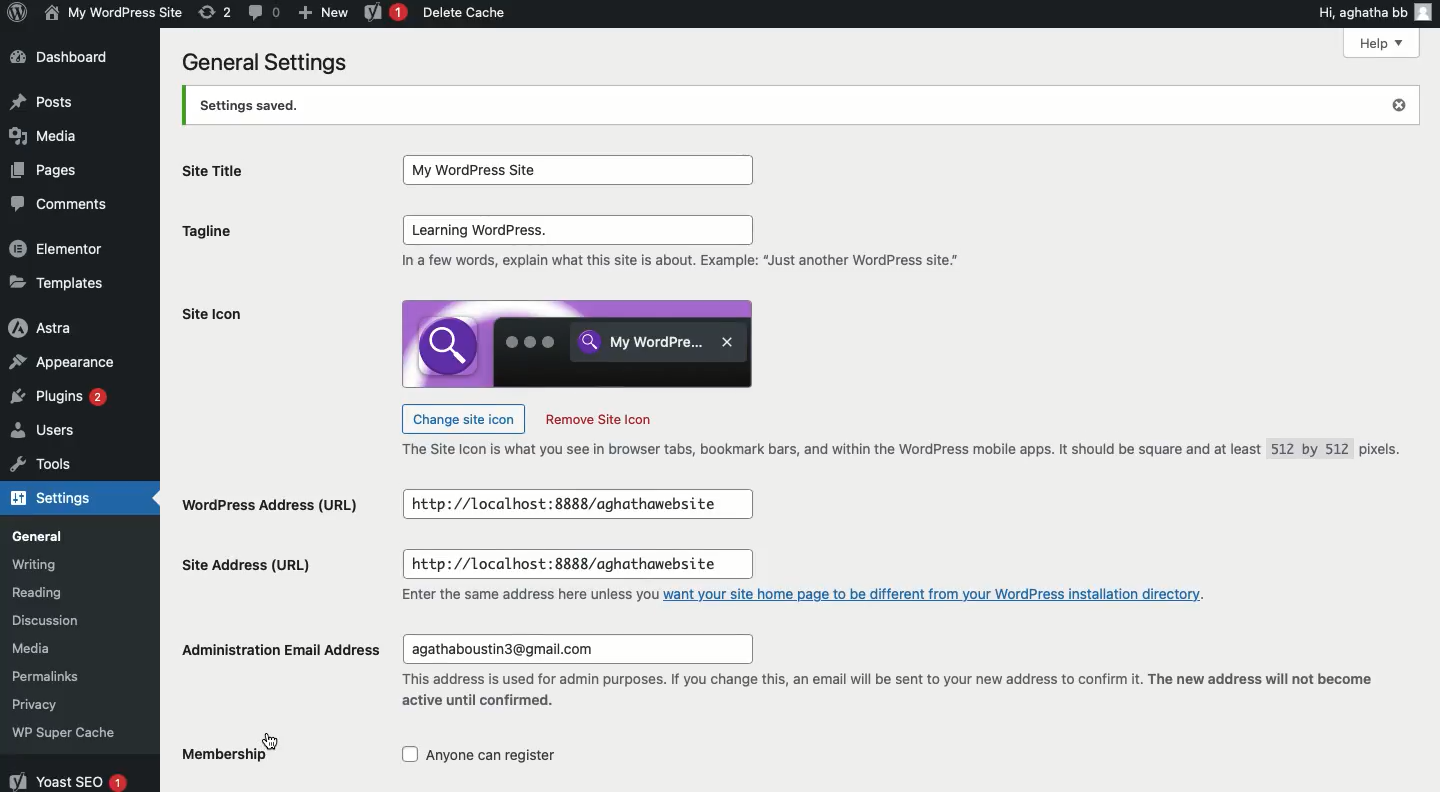 This screenshot has width=1440, height=792. I want to click on Templates, so click(60, 282).